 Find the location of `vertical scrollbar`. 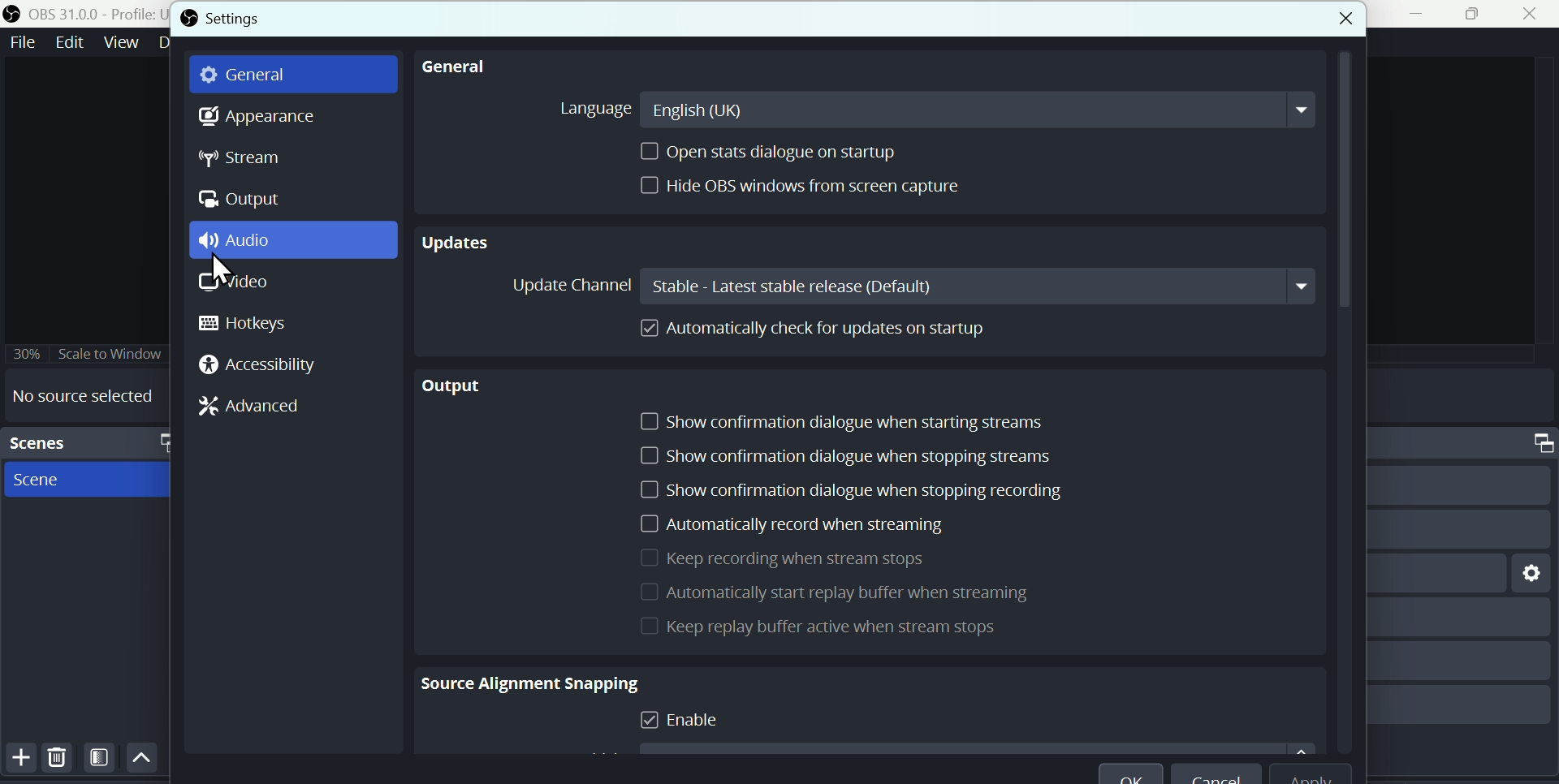

vertical scrollbar is located at coordinates (1346, 397).